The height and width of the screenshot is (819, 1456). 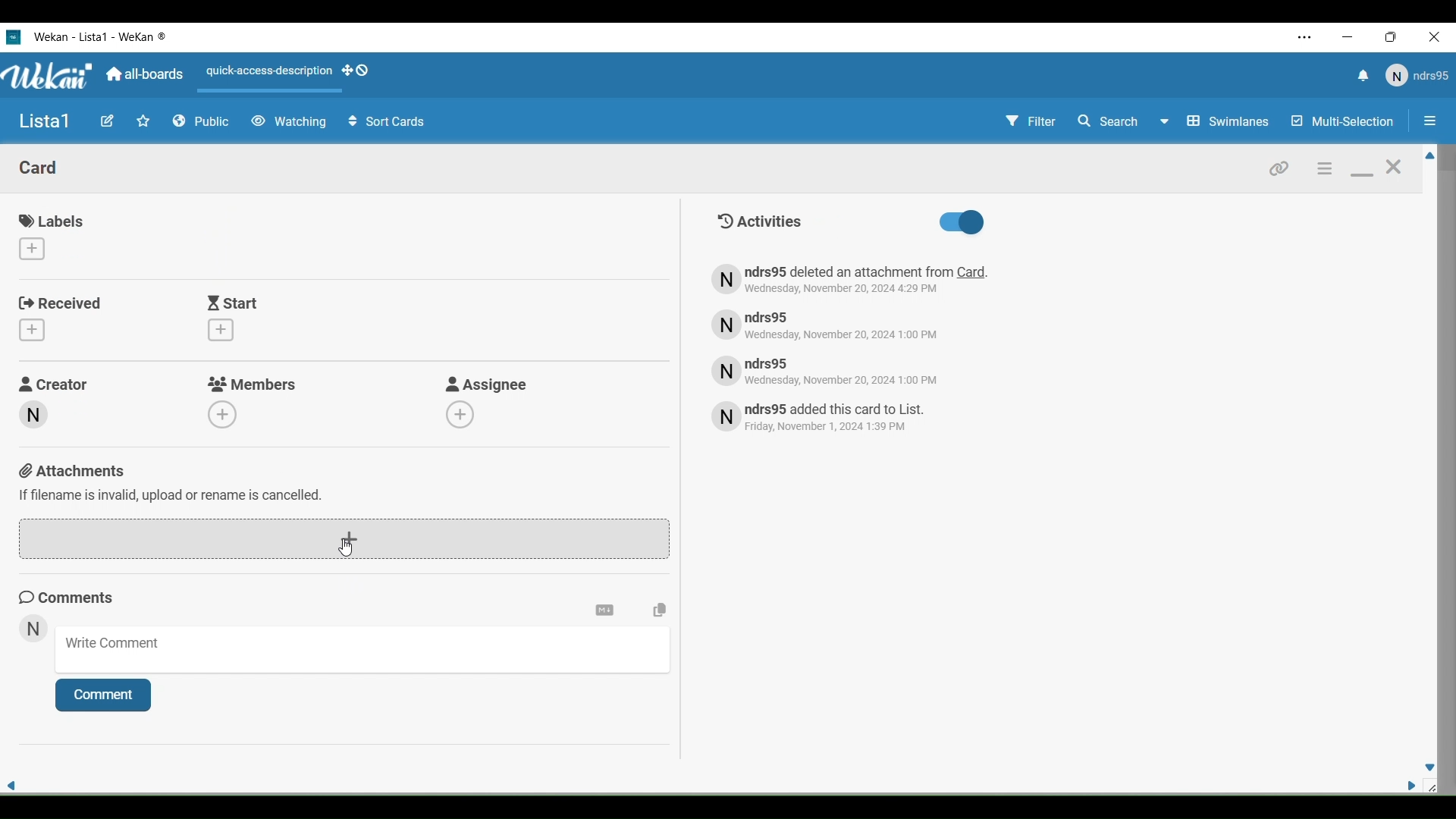 What do you see at coordinates (223, 413) in the screenshot?
I see `Add members` at bounding box center [223, 413].